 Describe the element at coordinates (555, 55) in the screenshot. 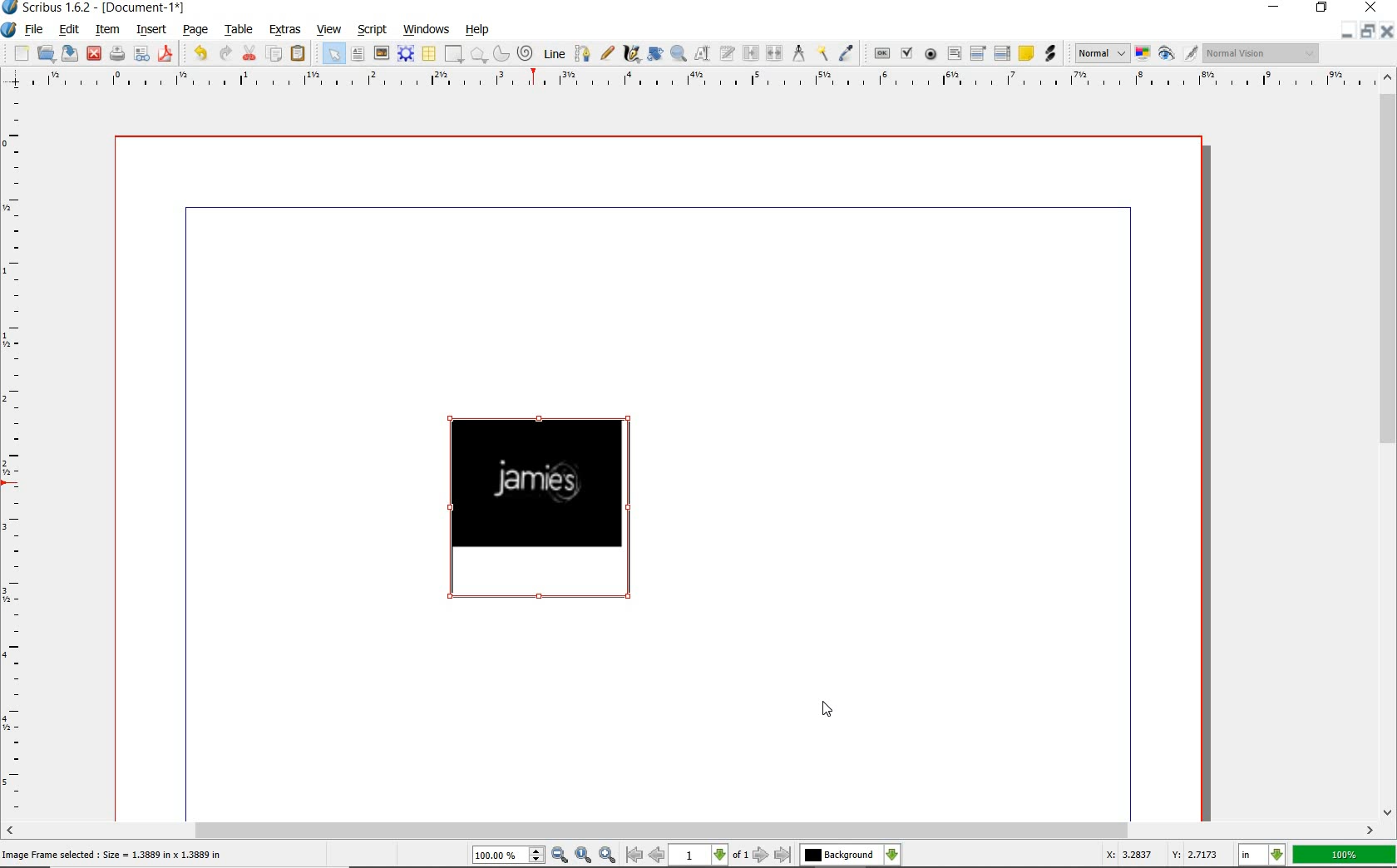

I see `LINE` at that location.